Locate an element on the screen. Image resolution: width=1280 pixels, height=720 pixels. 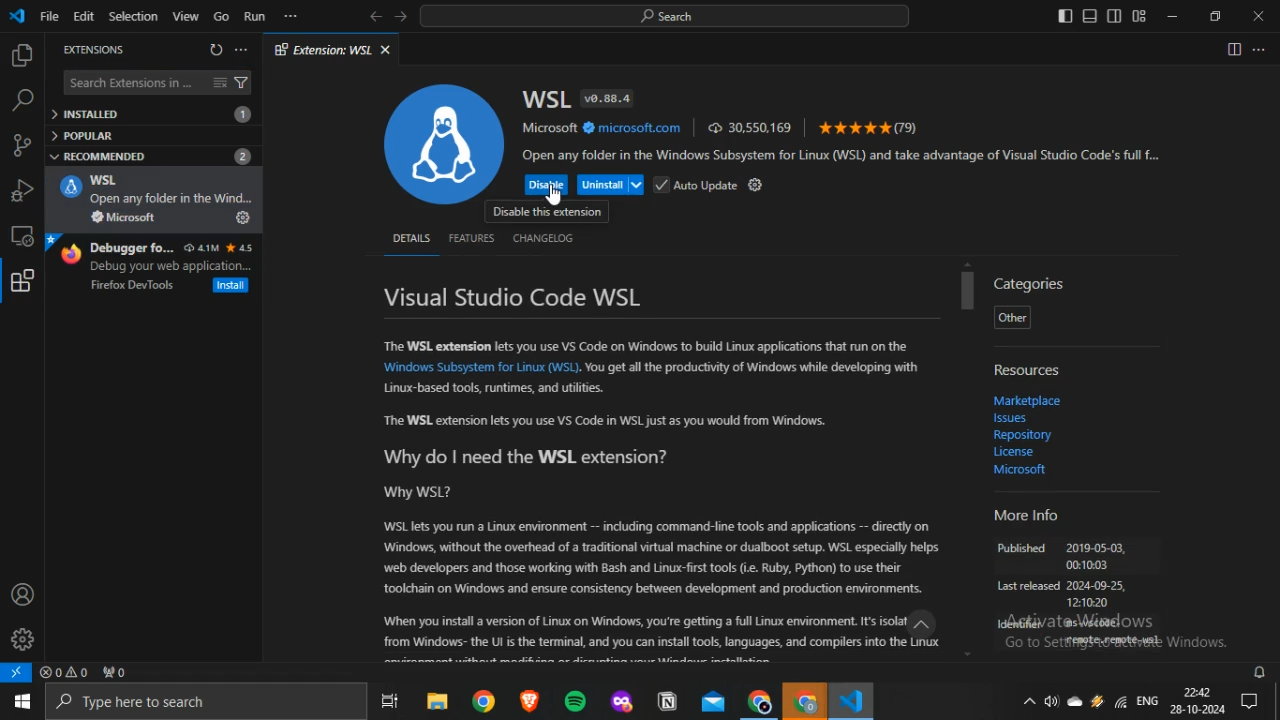
source control is located at coordinates (21, 145).